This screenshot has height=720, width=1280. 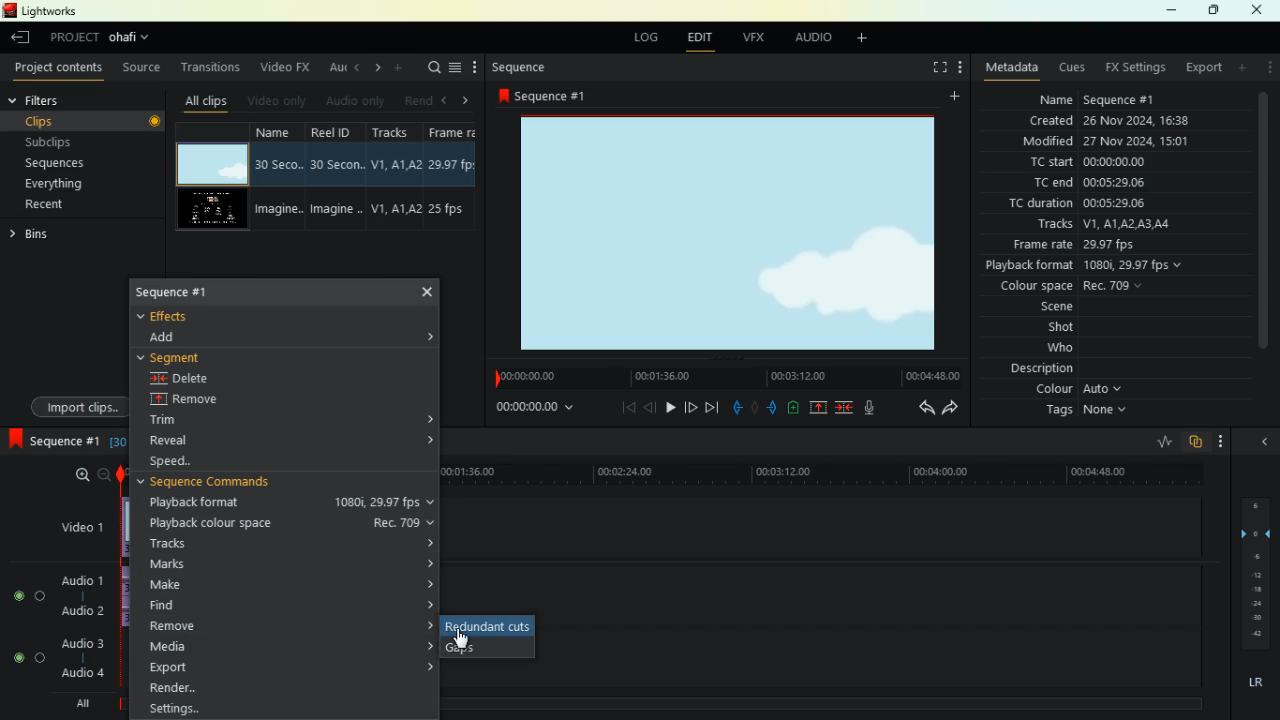 What do you see at coordinates (175, 358) in the screenshot?
I see `segment` at bounding box center [175, 358].